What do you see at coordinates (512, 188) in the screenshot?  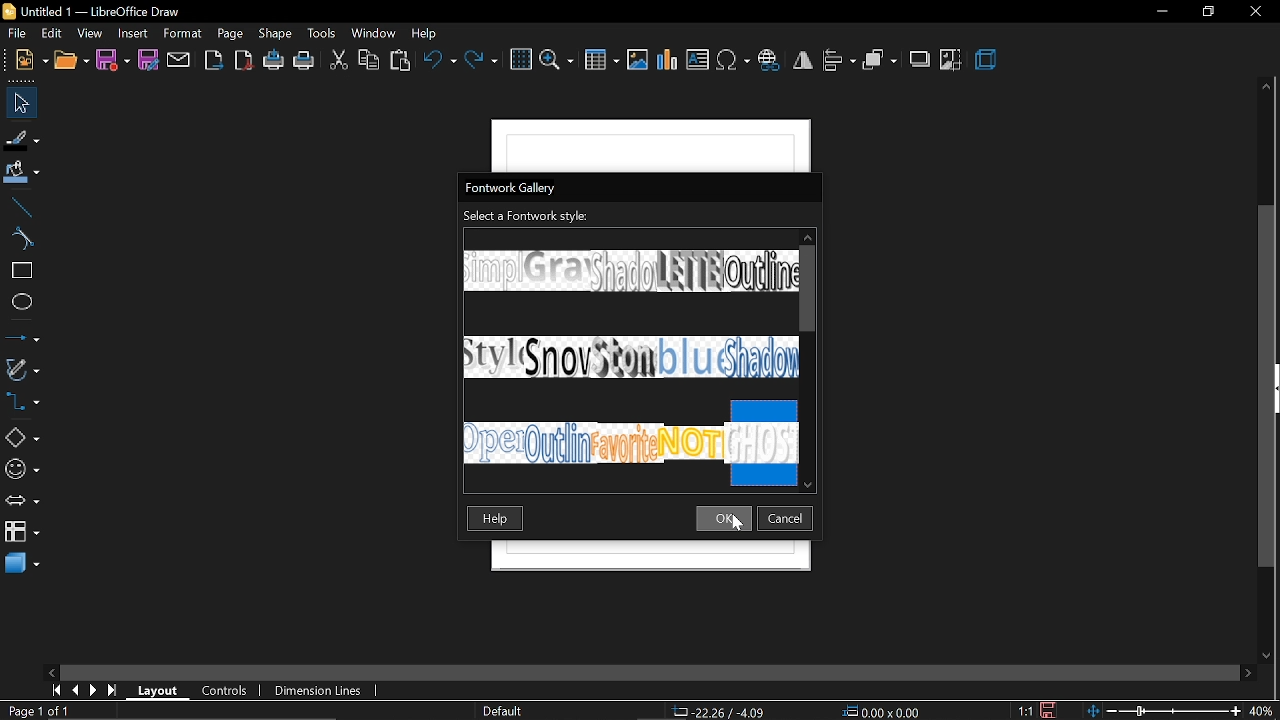 I see `current window` at bounding box center [512, 188].